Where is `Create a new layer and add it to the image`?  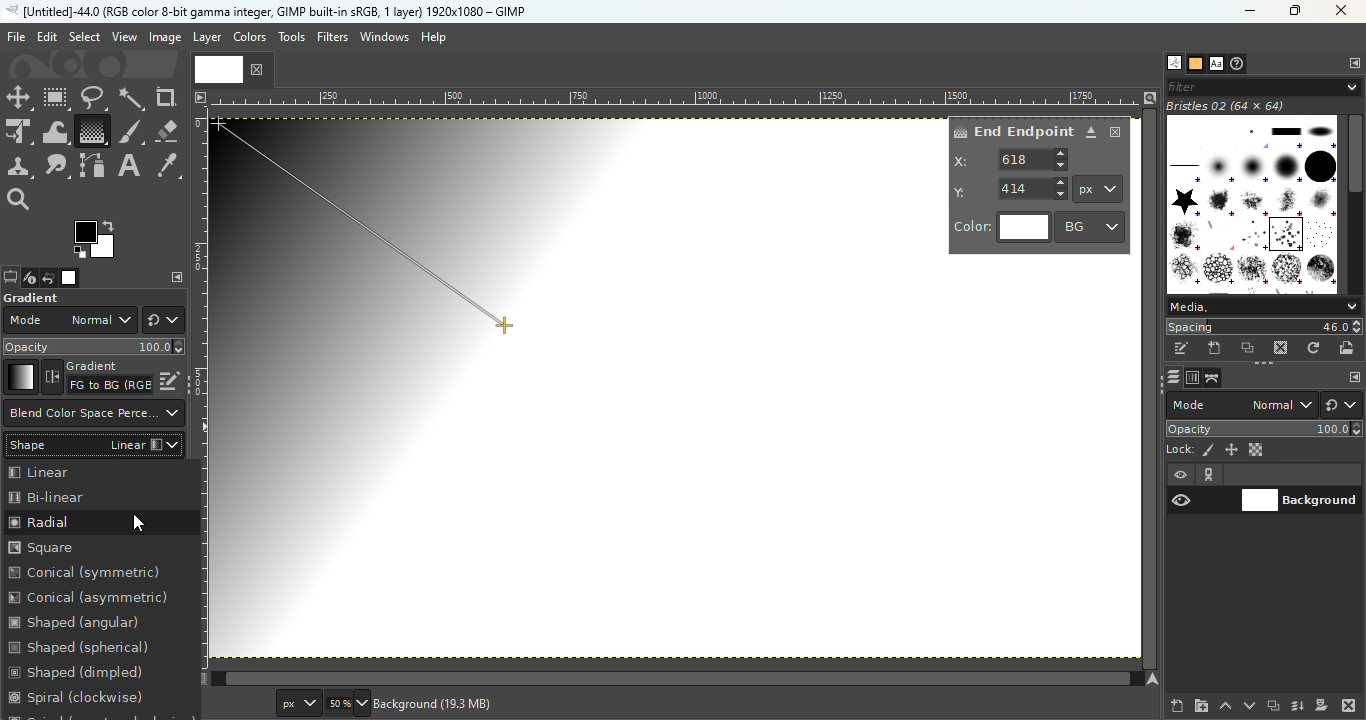
Create a new layer and add it to the image is located at coordinates (1178, 706).